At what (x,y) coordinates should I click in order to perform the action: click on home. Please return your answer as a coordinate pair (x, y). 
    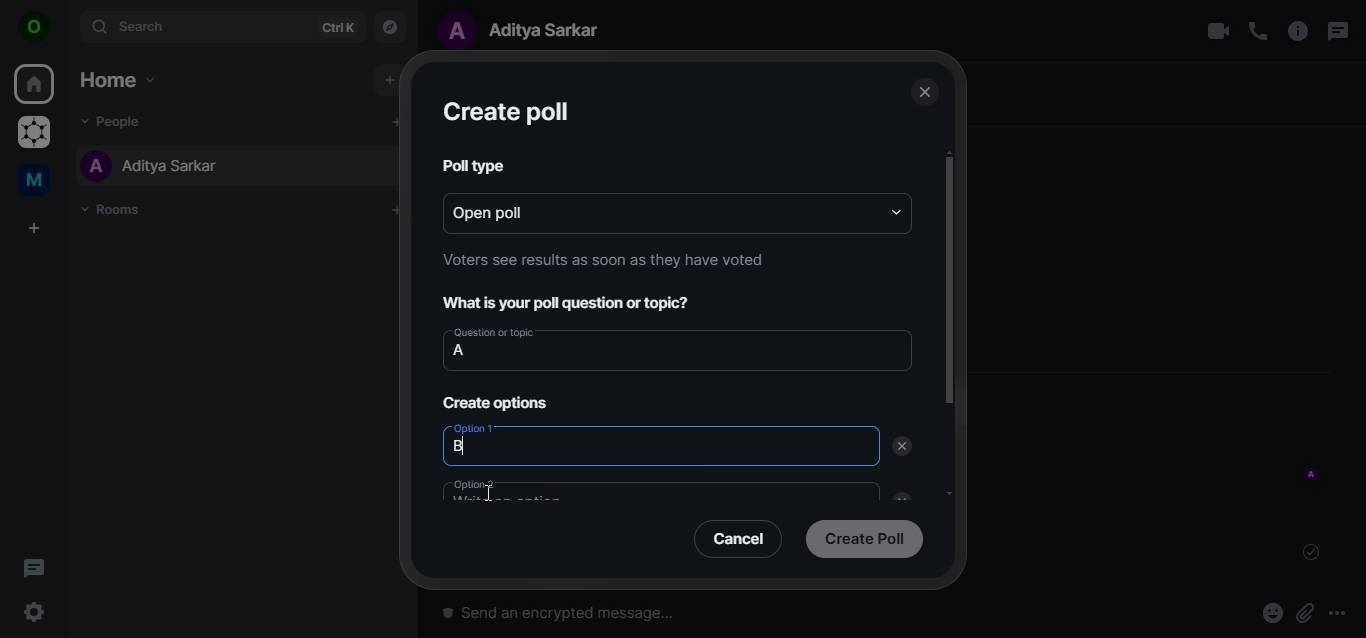
    Looking at the image, I should click on (36, 85).